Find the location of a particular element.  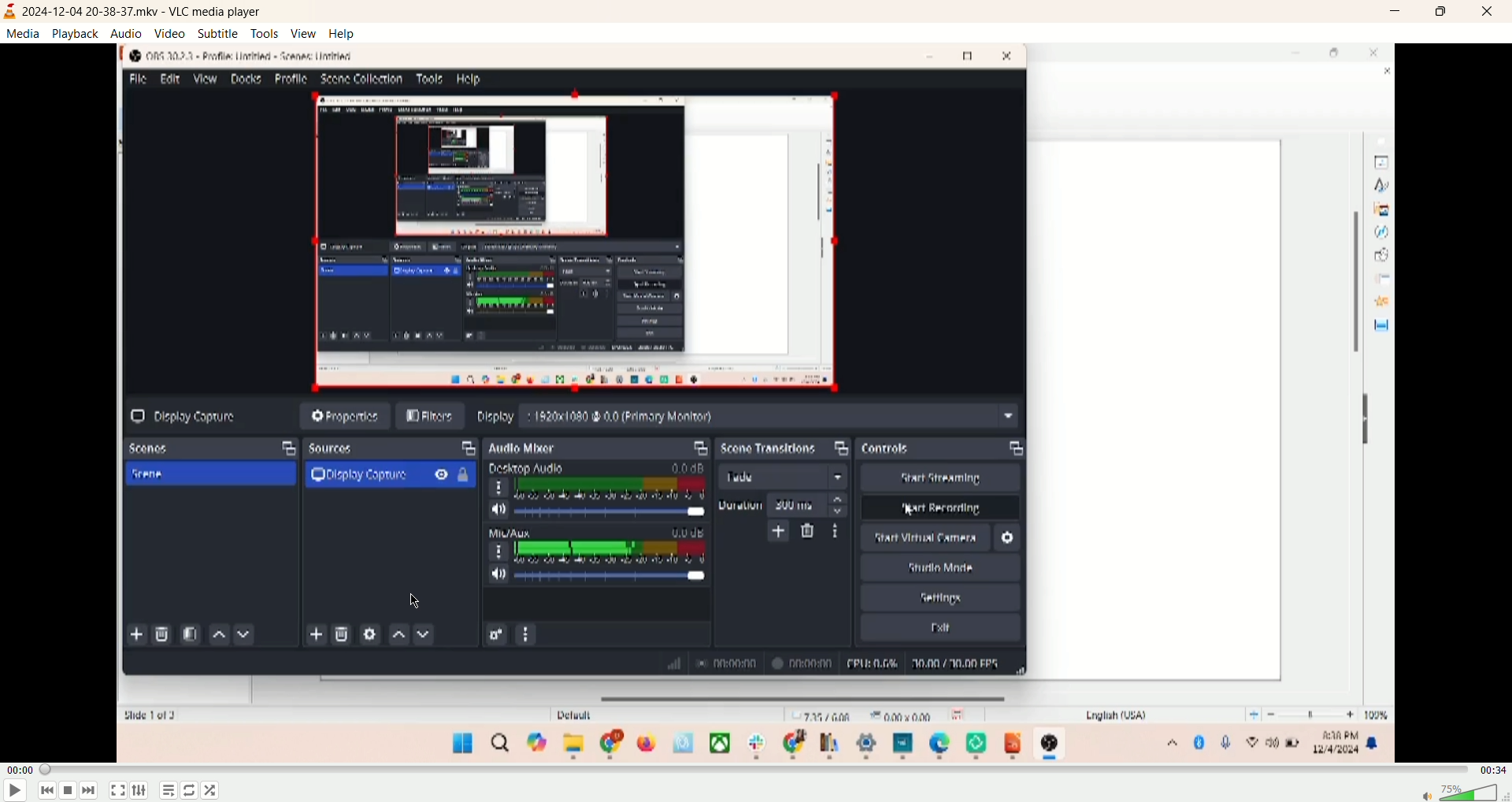

view is located at coordinates (305, 32).